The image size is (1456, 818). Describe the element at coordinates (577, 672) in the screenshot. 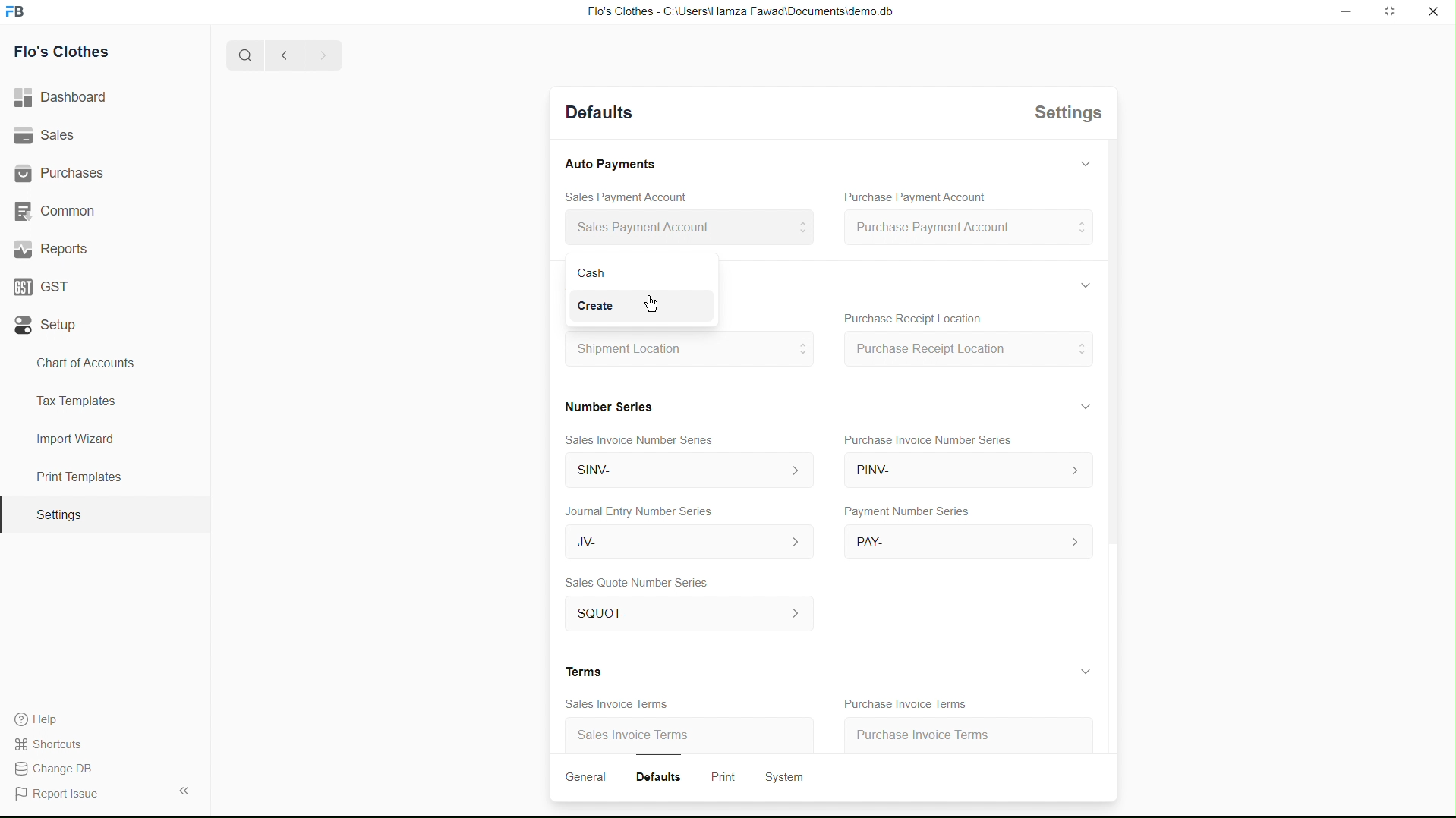

I see `Terms` at that location.